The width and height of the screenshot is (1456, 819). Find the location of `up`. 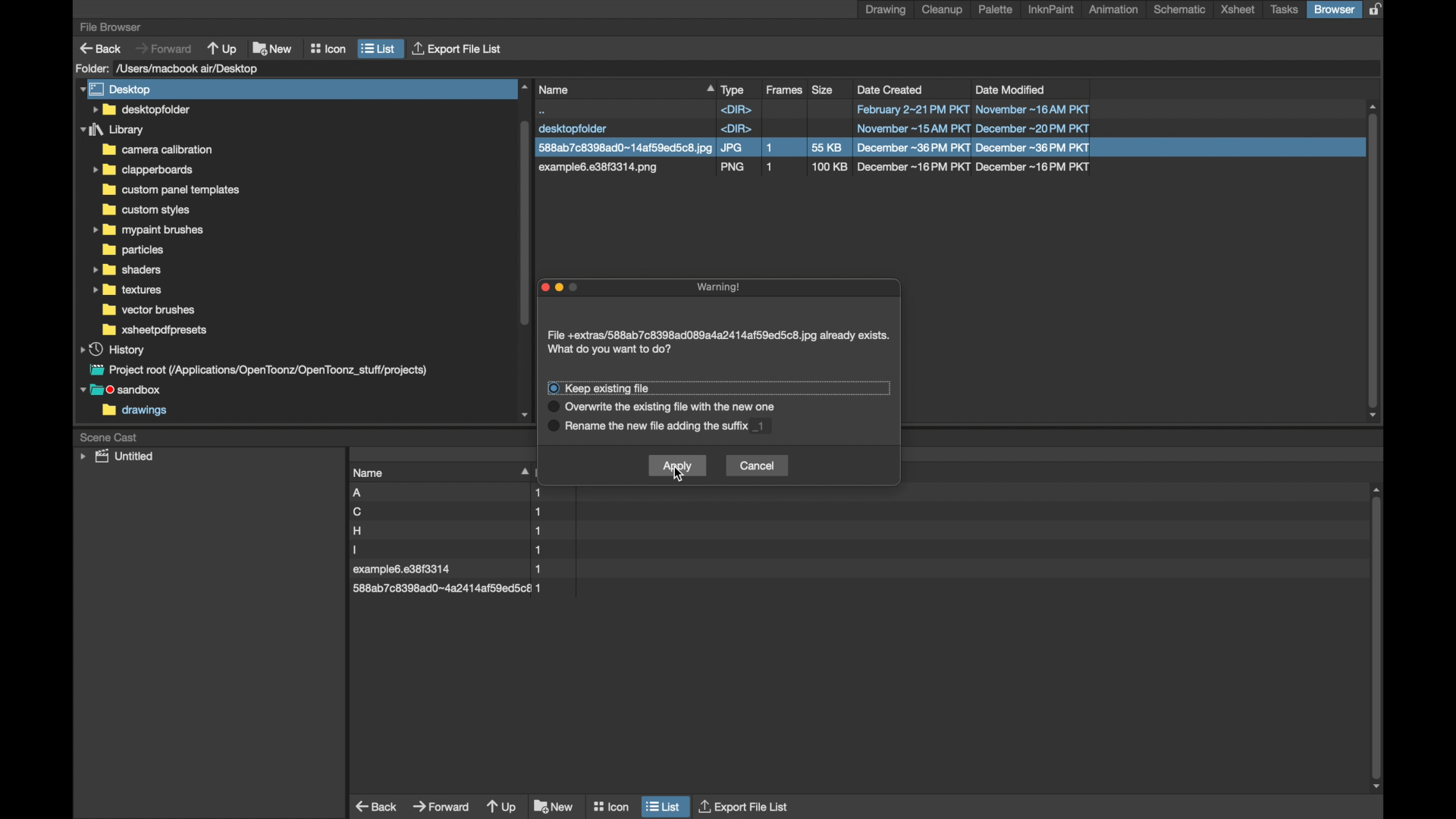

up is located at coordinates (224, 48).